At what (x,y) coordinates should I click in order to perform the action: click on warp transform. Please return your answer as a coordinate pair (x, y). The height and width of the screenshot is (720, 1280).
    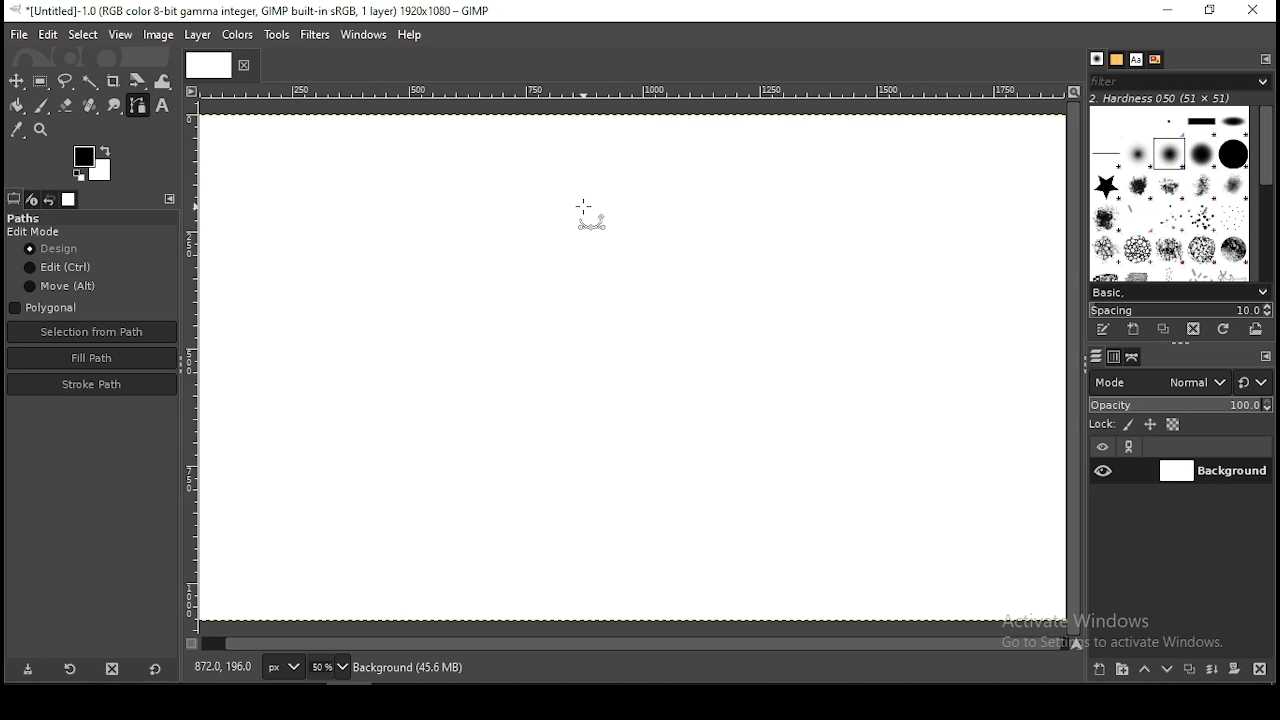
    Looking at the image, I should click on (164, 81).